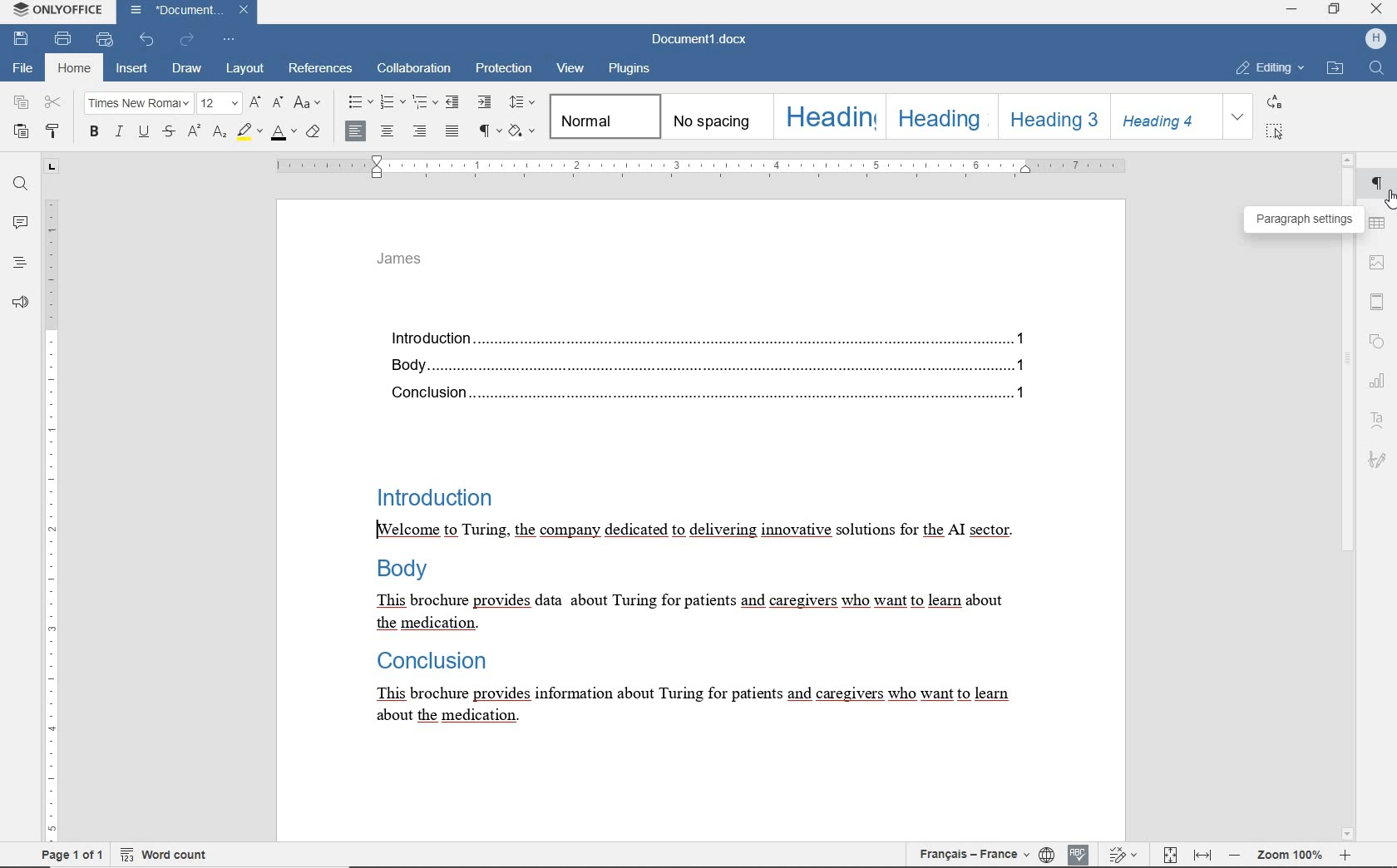  I want to click on fit to width, so click(1202, 856).